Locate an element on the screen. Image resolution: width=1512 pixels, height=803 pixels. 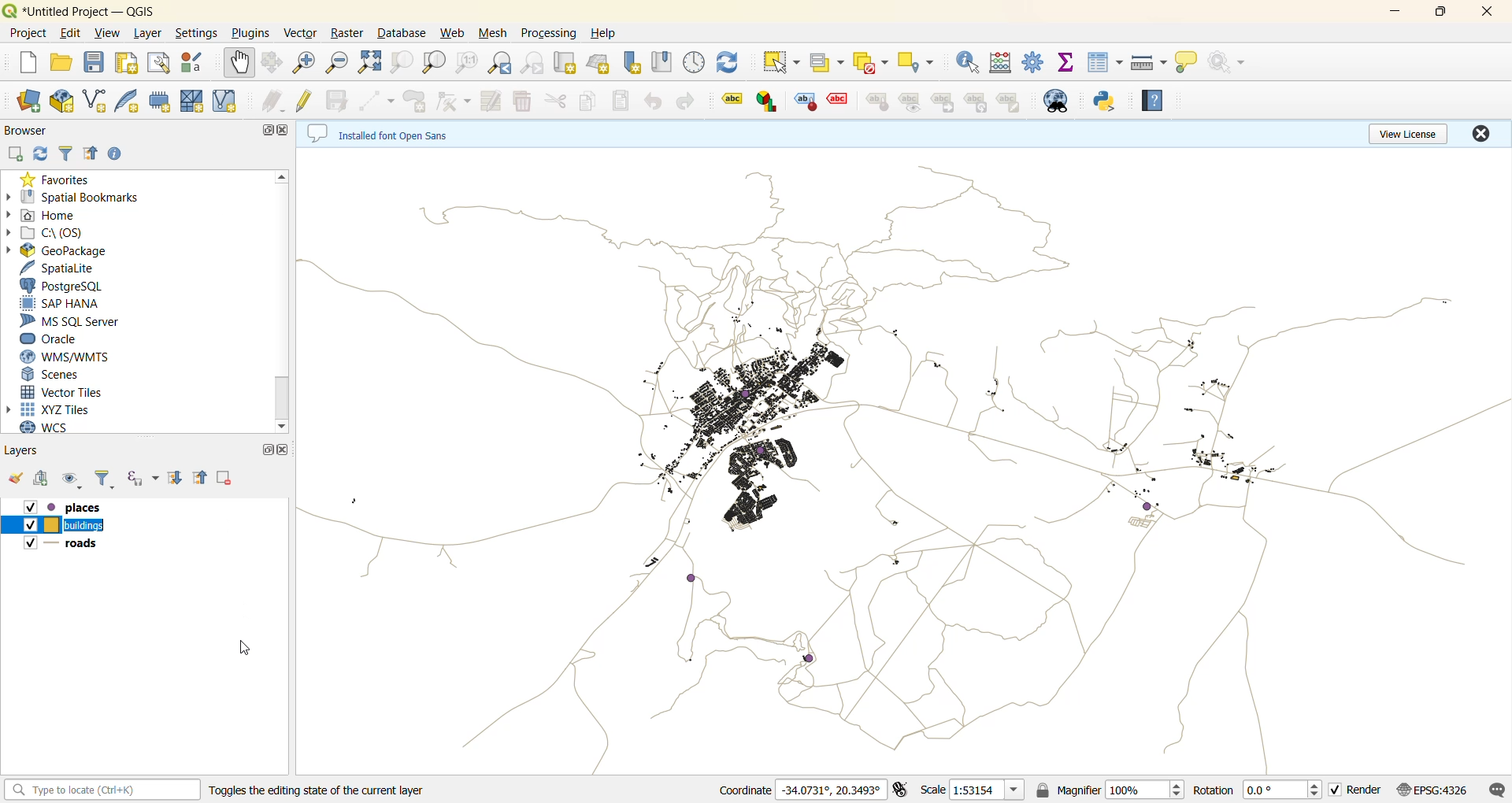
close is located at coordinates (1481, 134).